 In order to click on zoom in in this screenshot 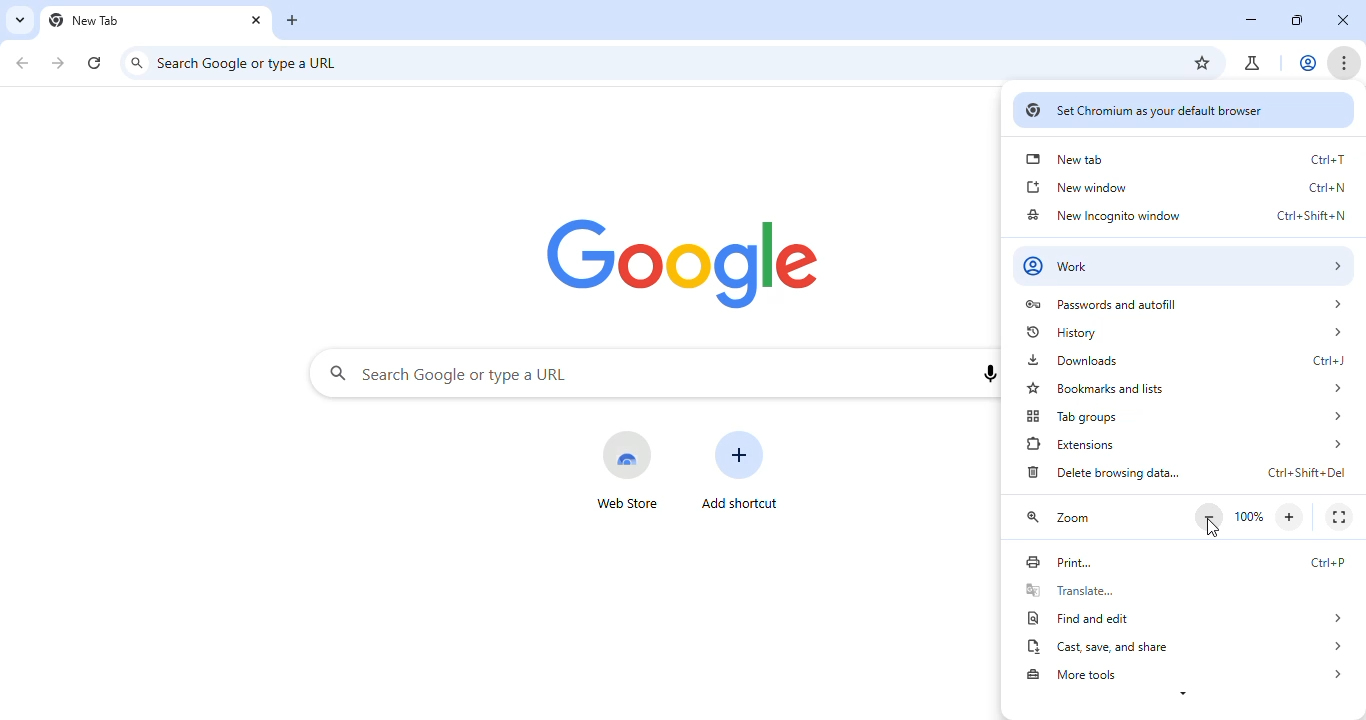, I will do `click(1292, 517)`.